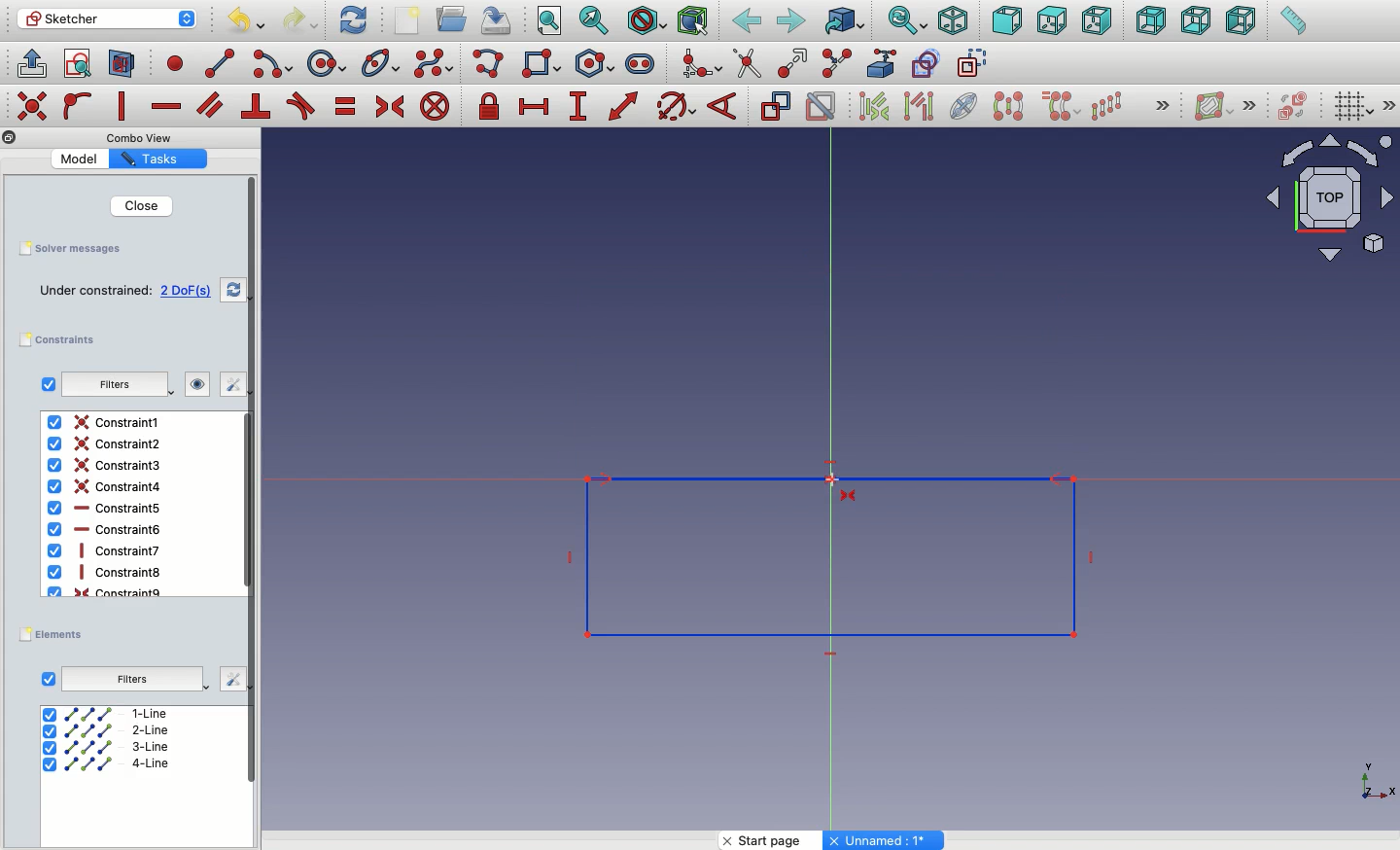 The width and height of the screenshot is (1400, 850). Describe the element at coordinates (692, 21) in the screenshot. I see `Bounding Box` at that location.